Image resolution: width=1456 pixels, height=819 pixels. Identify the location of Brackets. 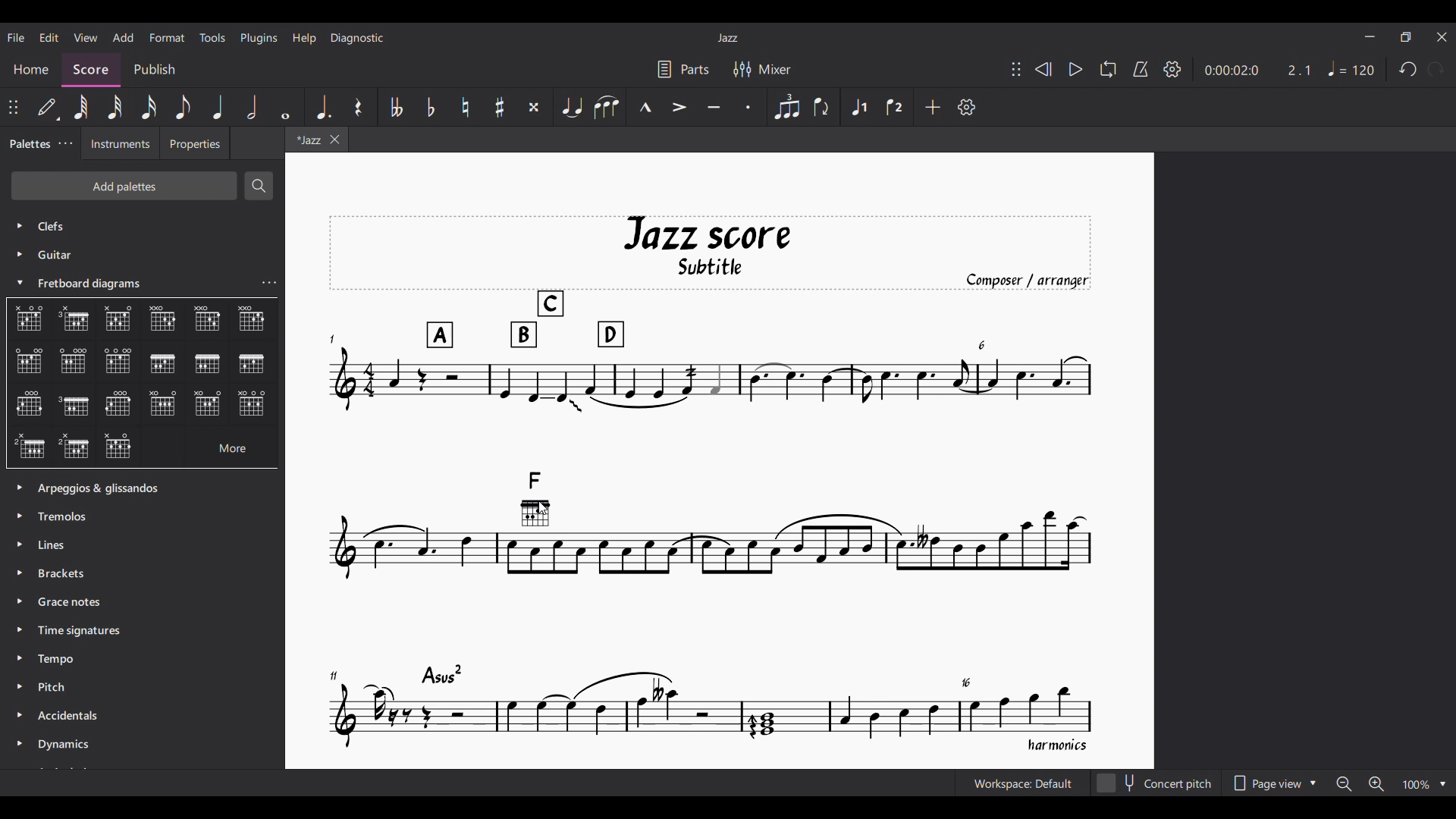
(67, 576).